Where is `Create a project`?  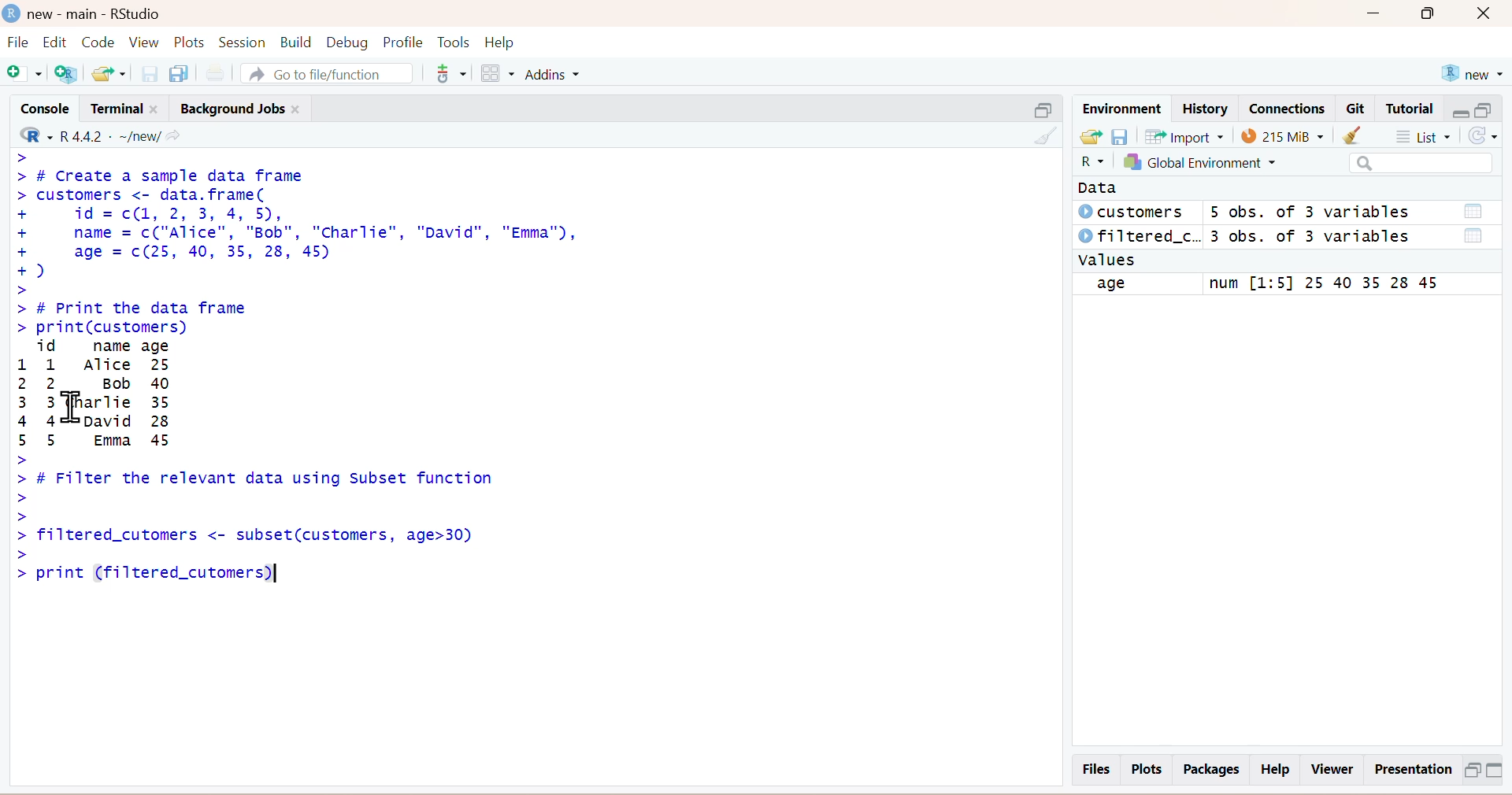 Create a project is located at coordinates (70, 72).